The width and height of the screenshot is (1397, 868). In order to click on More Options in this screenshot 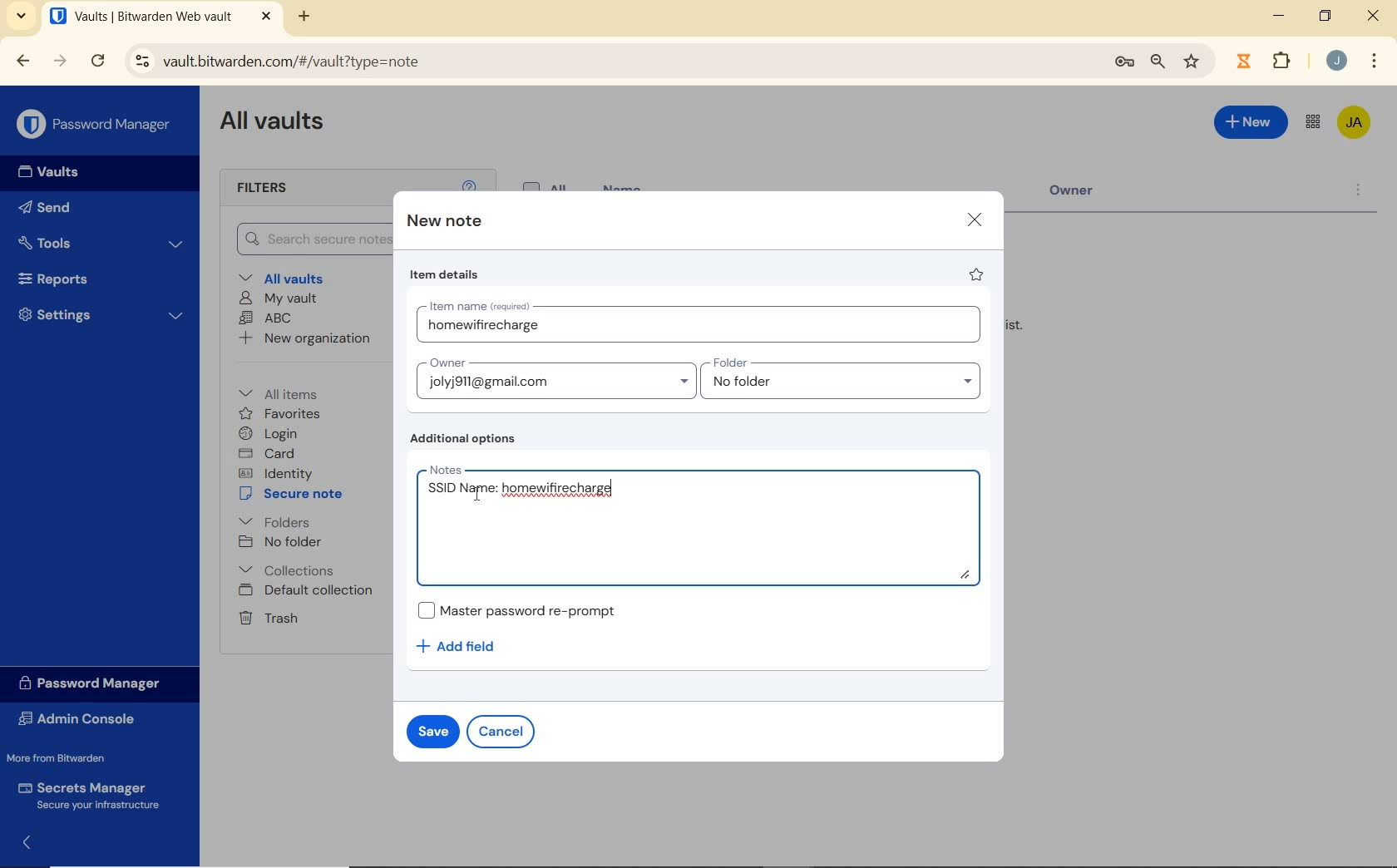, I will do `click(1375, 59)`.